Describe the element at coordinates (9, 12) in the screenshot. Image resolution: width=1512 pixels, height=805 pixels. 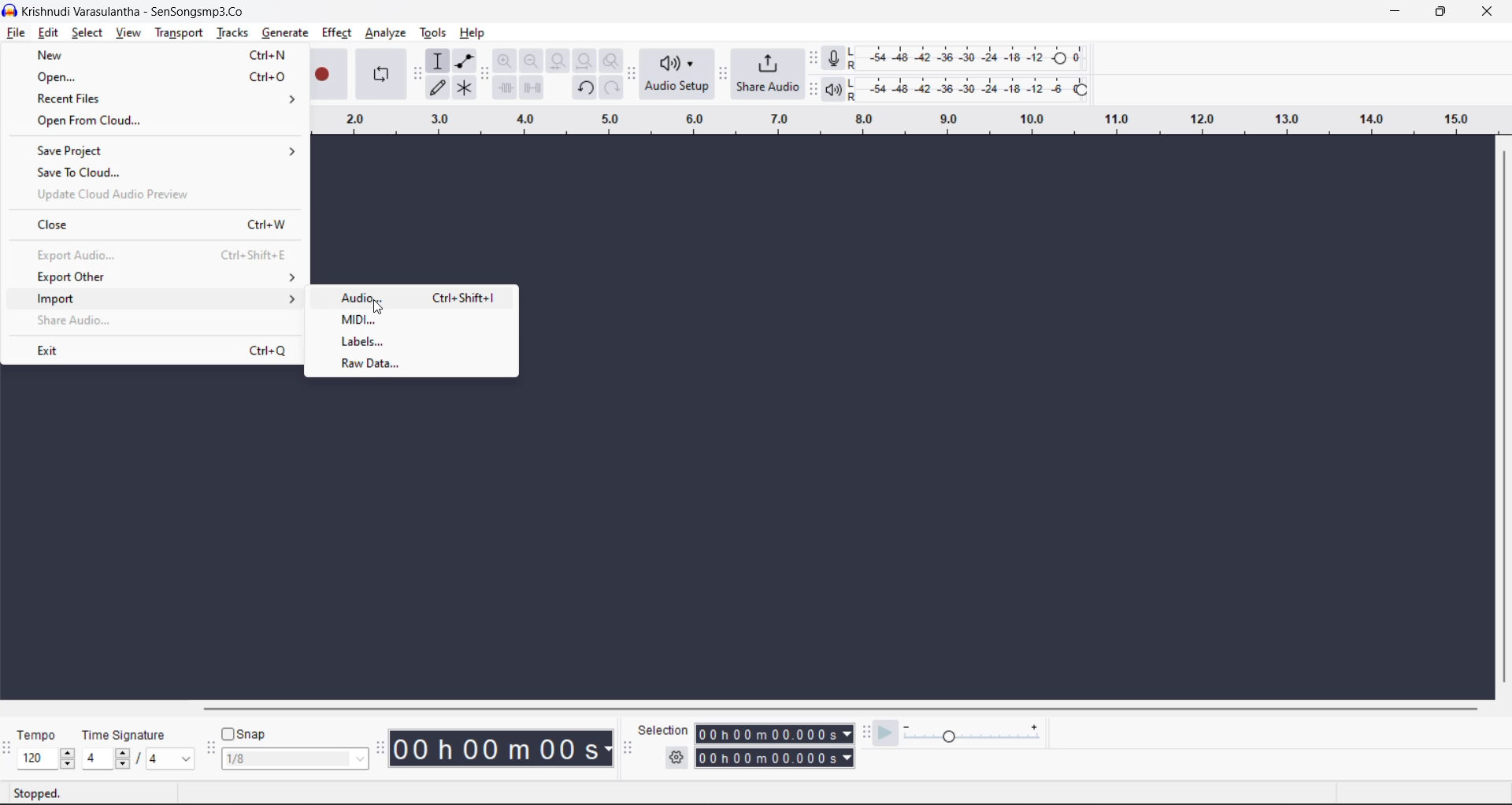
I see `logo` at that location.